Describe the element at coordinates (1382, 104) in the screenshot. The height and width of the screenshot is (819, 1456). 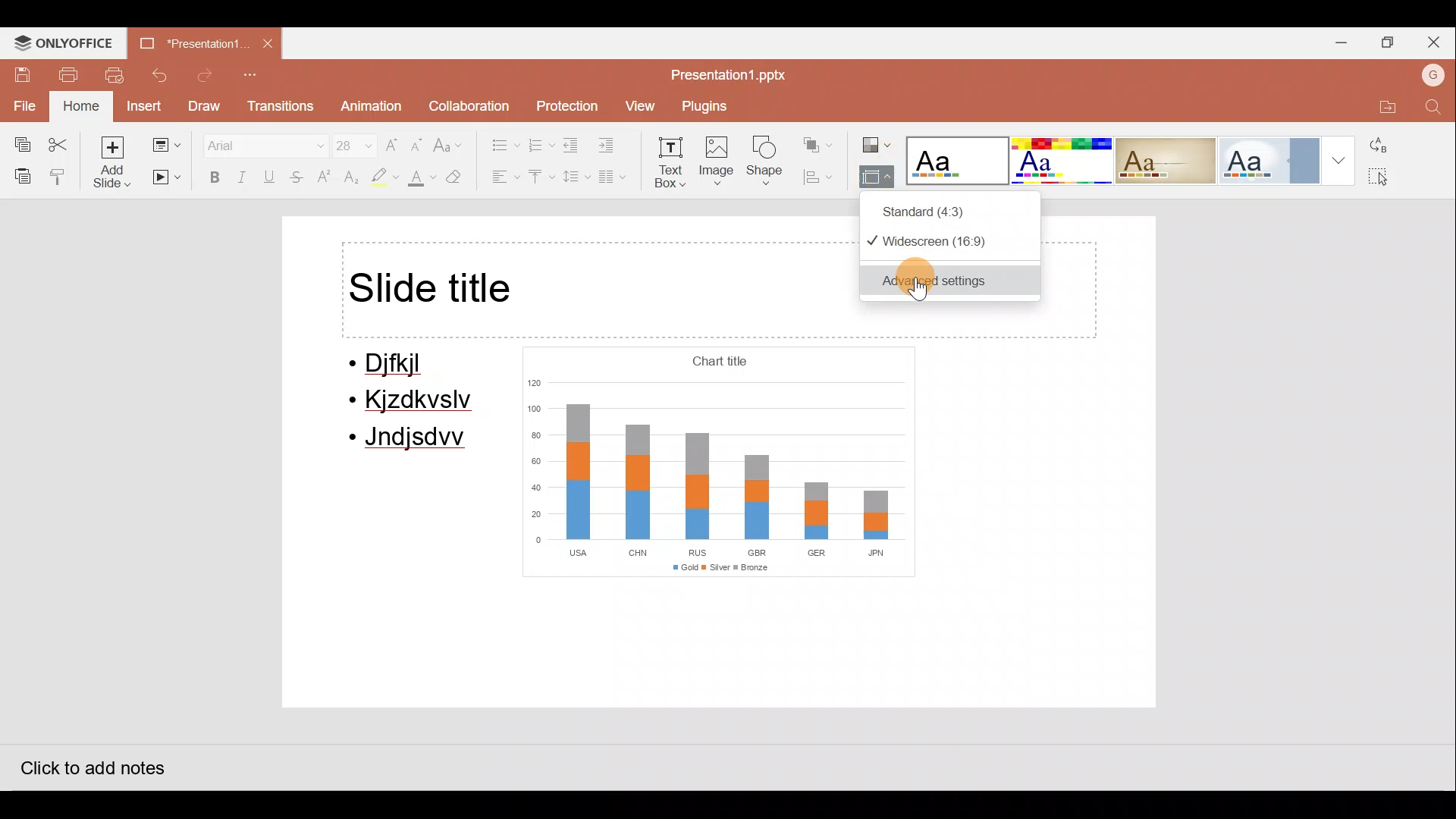
I see `Open file location` at that location.